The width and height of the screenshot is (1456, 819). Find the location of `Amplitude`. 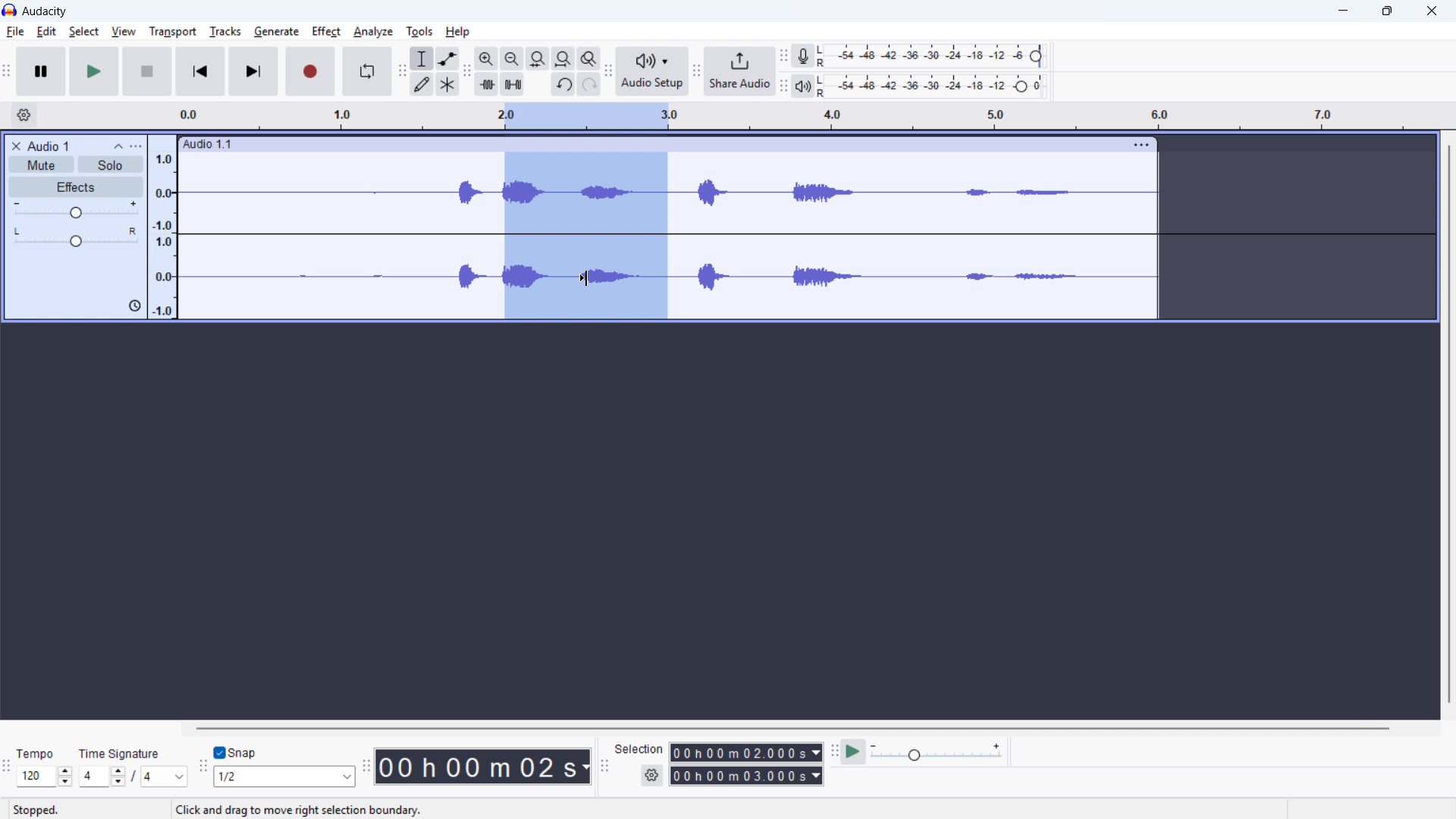

Amplitude is located at coordinates (163, 226).